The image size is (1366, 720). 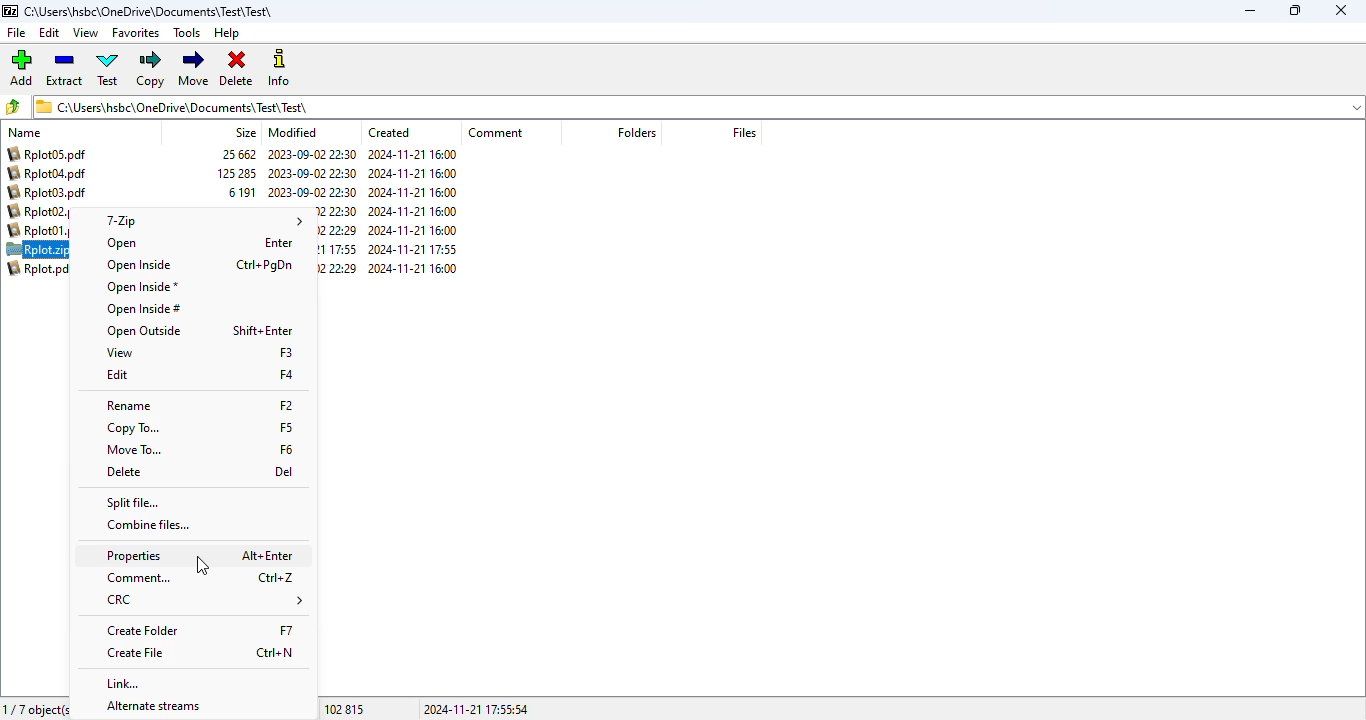 What do you see at coordinates (268, 555) in the screenshot?
I see `shortcut for properties` at bounding box center [268, 555].